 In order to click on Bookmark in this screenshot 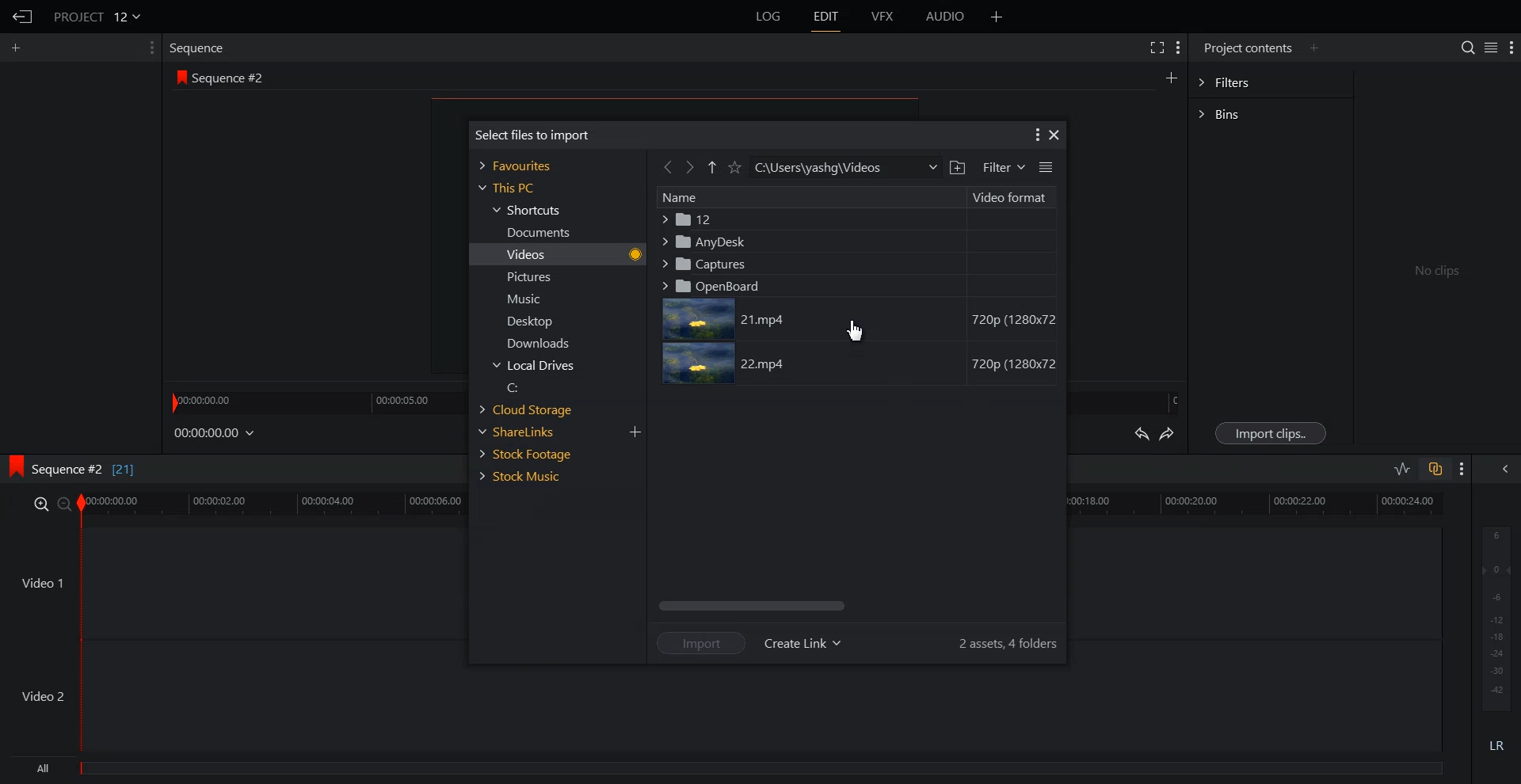, I will do `click(736, 167)`.